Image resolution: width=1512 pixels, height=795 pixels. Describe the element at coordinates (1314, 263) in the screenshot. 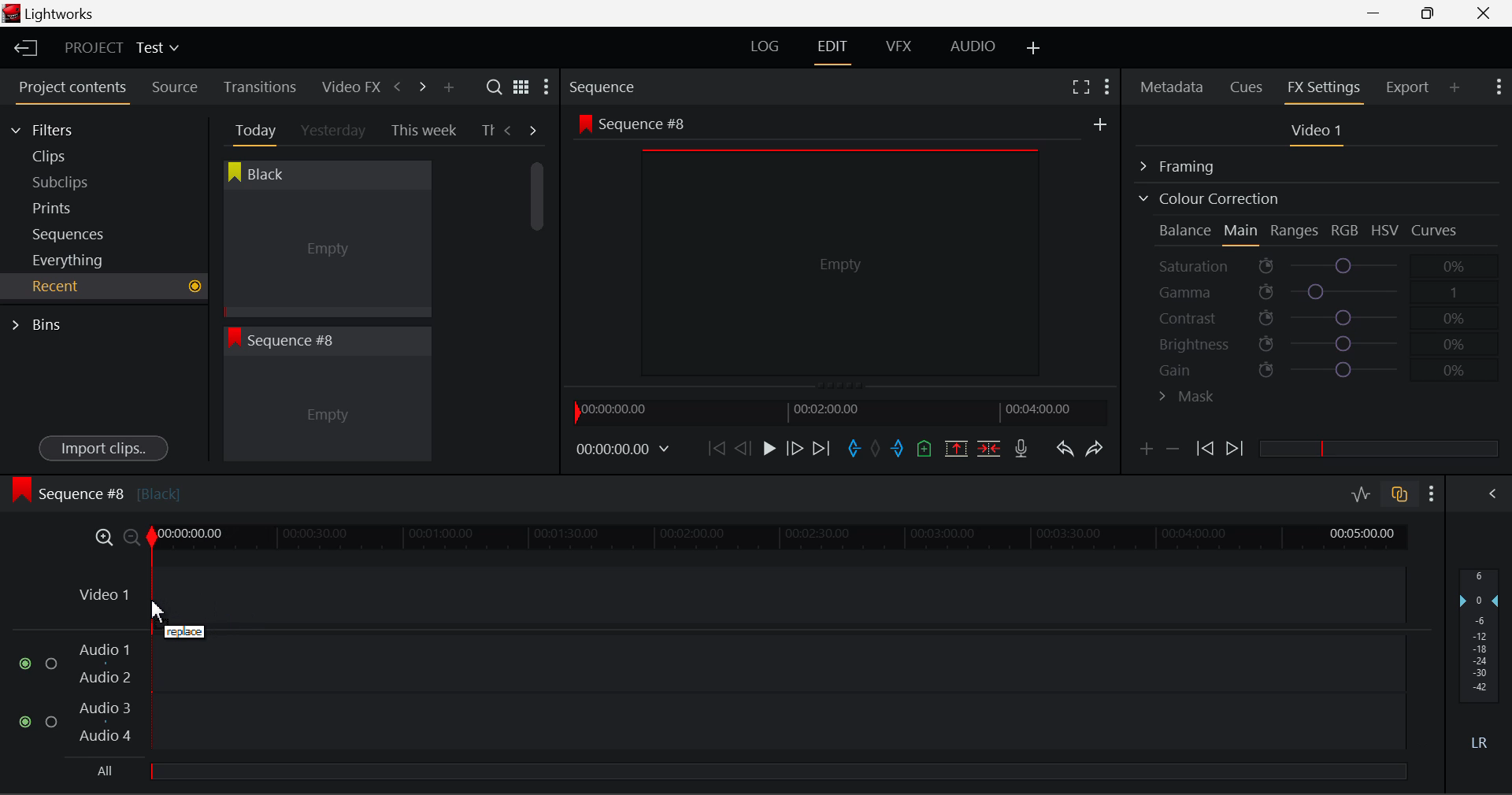

I see `Saturation` at that location.